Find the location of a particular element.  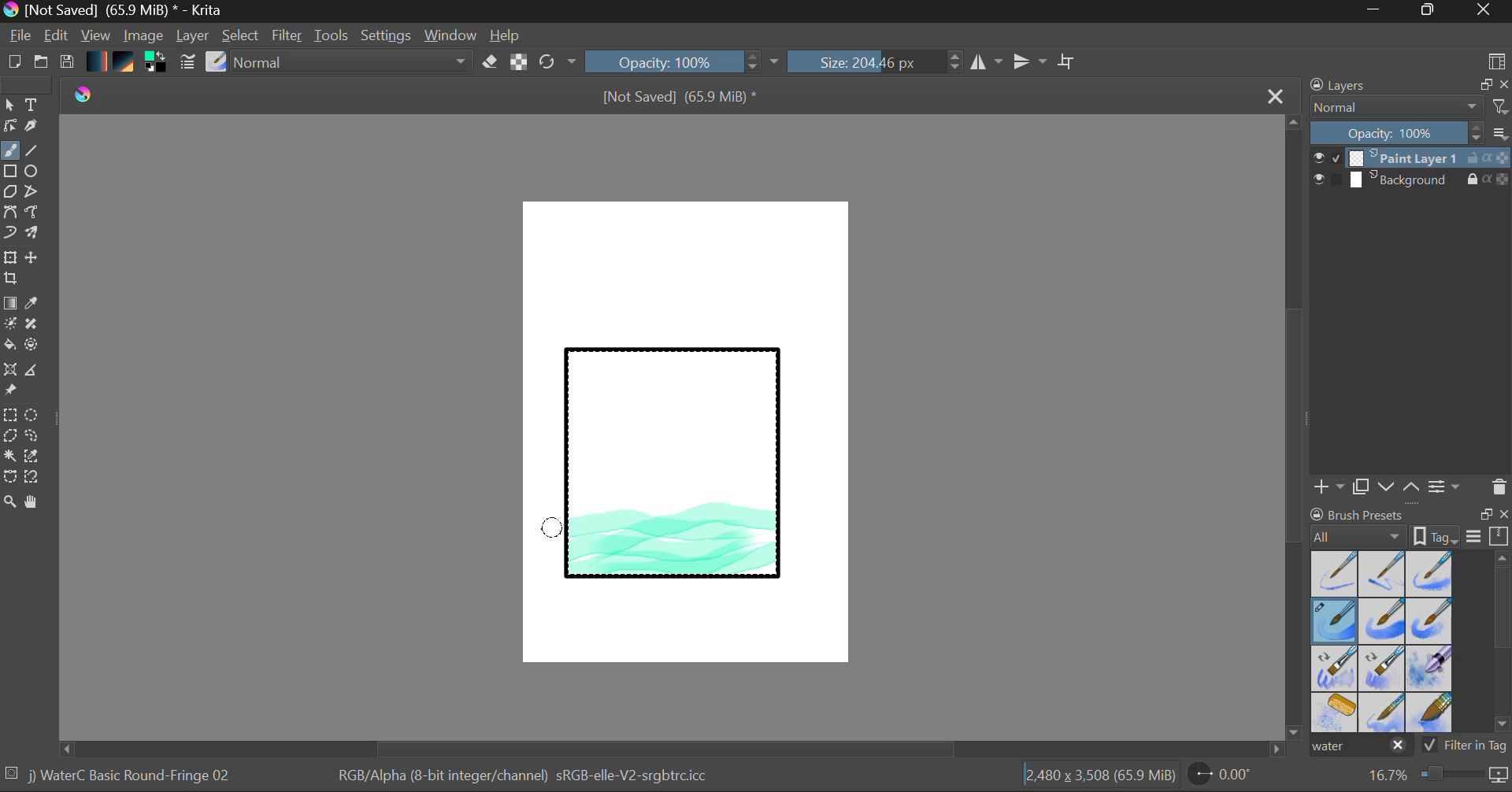

Transform Layer is located at coordinates (9, 256).